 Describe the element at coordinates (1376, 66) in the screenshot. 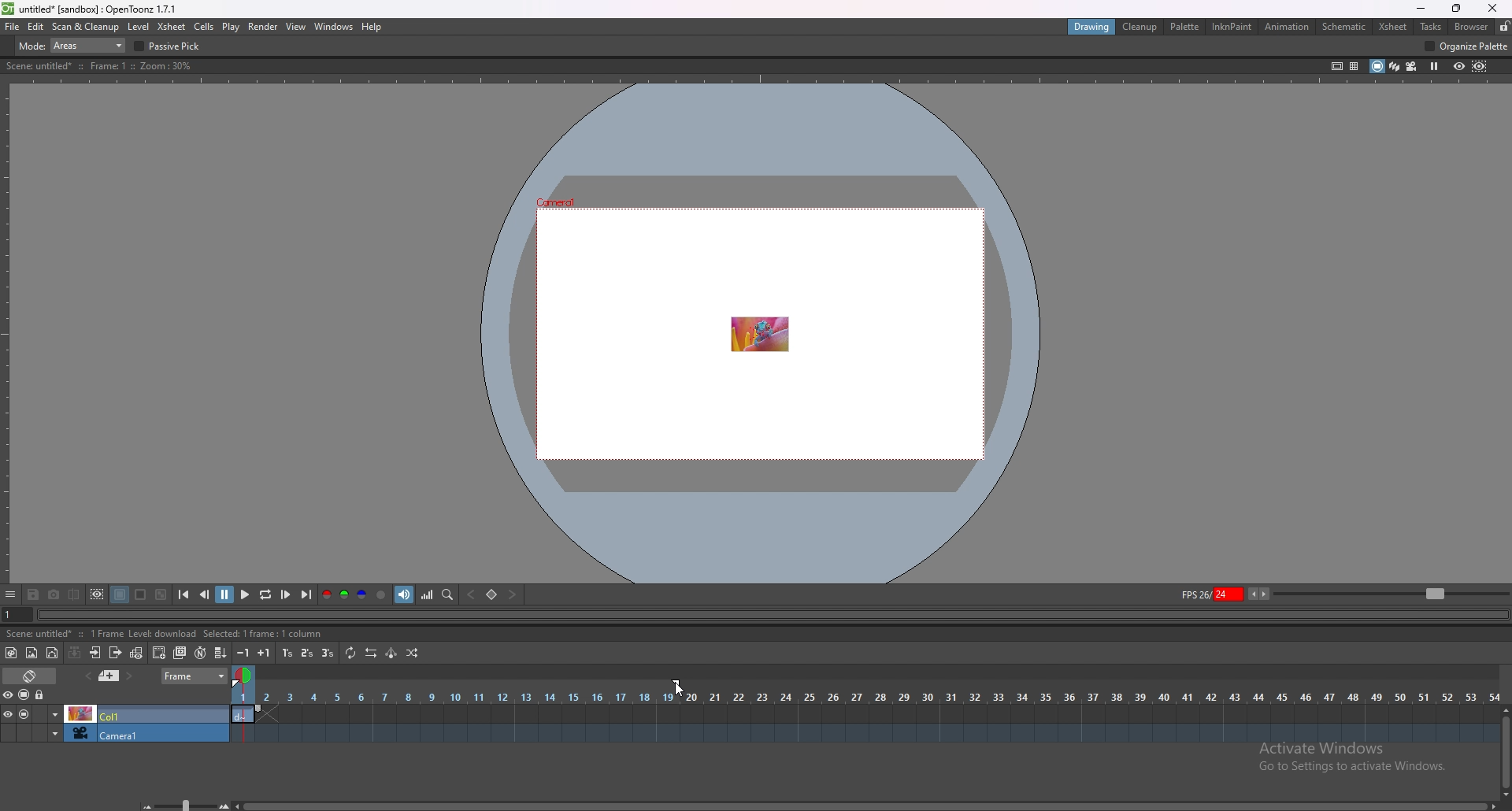

I see `camera stand view` at that location.